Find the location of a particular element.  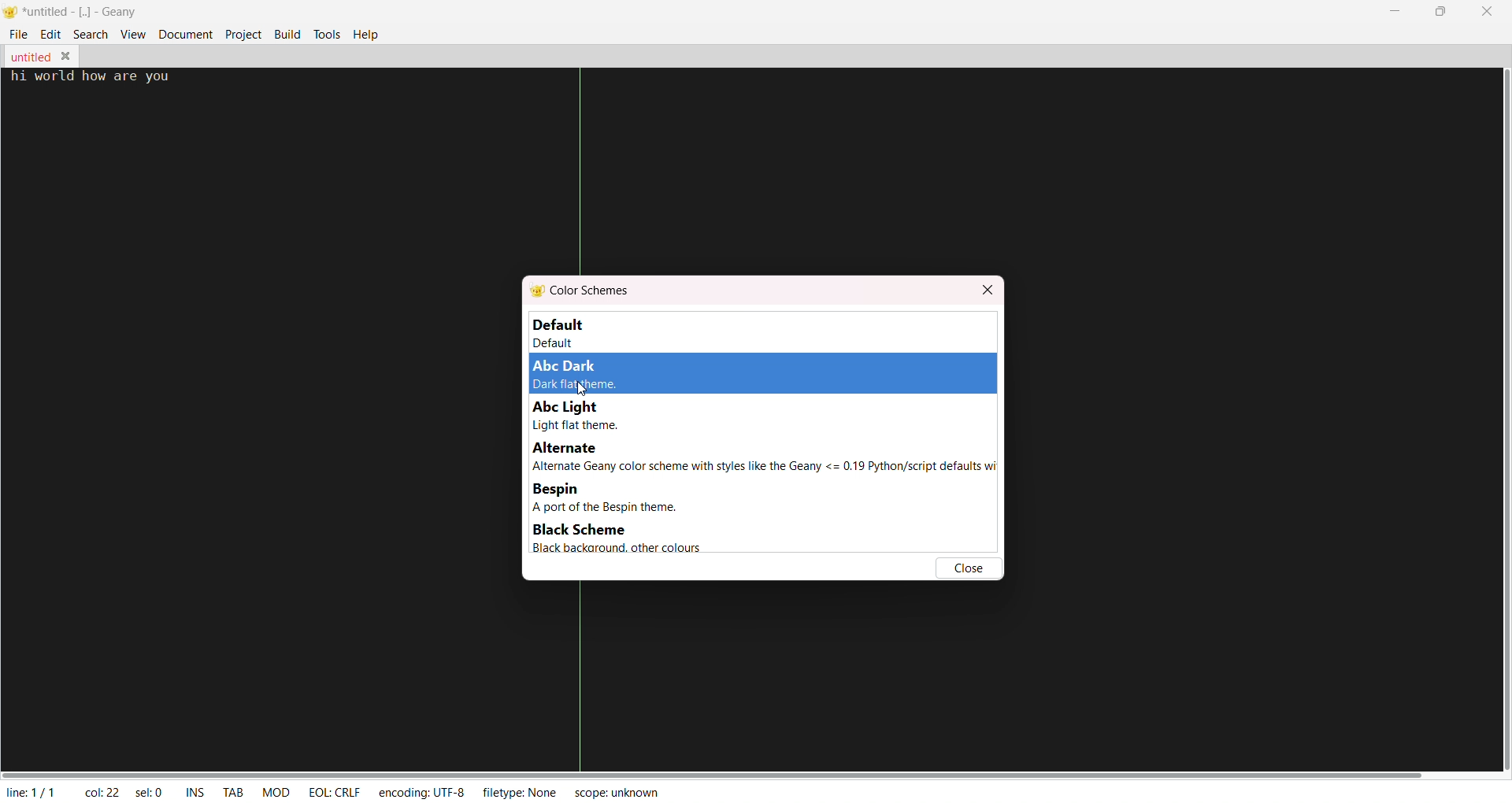

close is located at coordinates (969, 568).